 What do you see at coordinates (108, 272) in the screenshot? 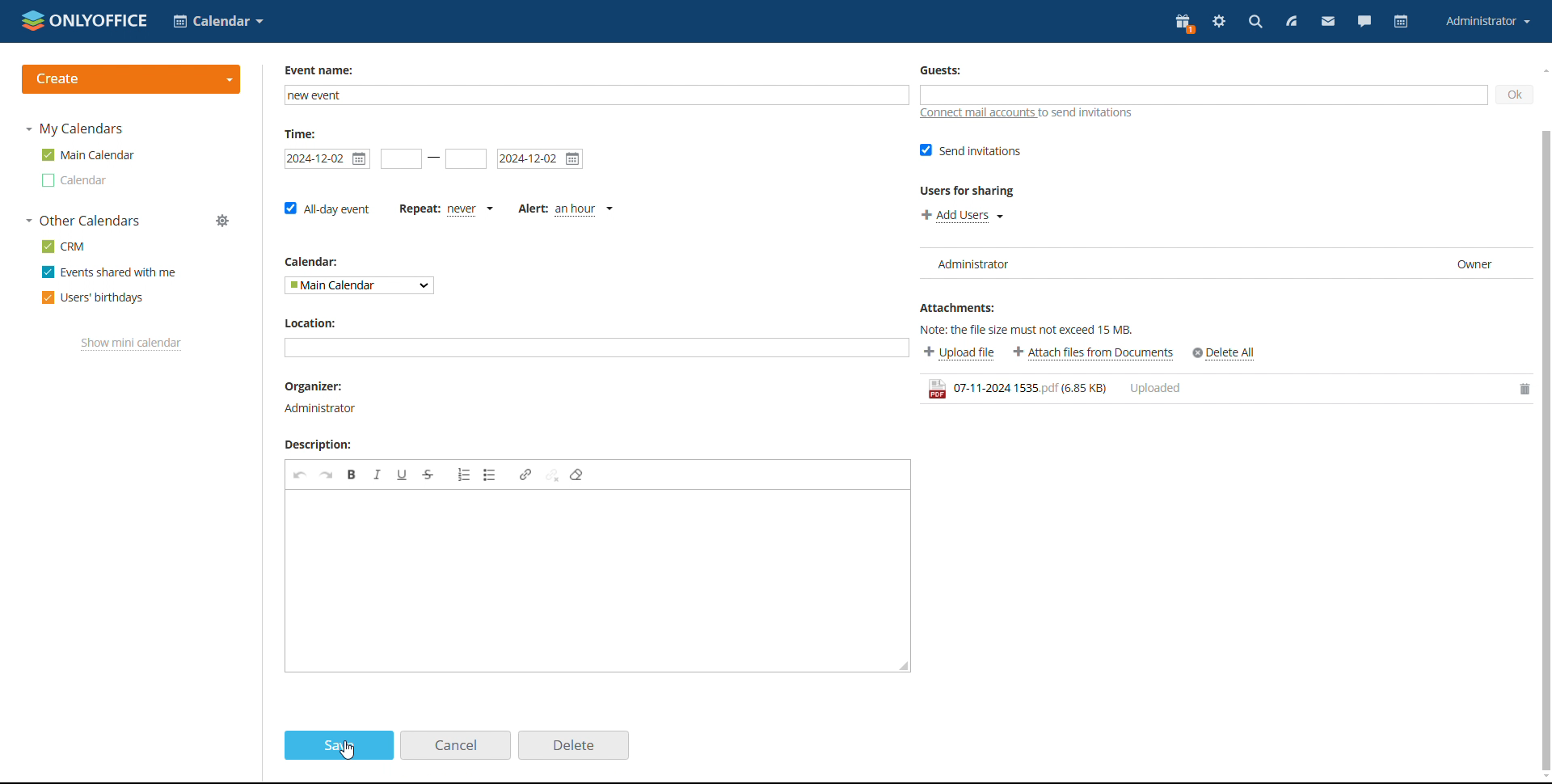
I see `events shared with me` at bounding box center [108, 272].